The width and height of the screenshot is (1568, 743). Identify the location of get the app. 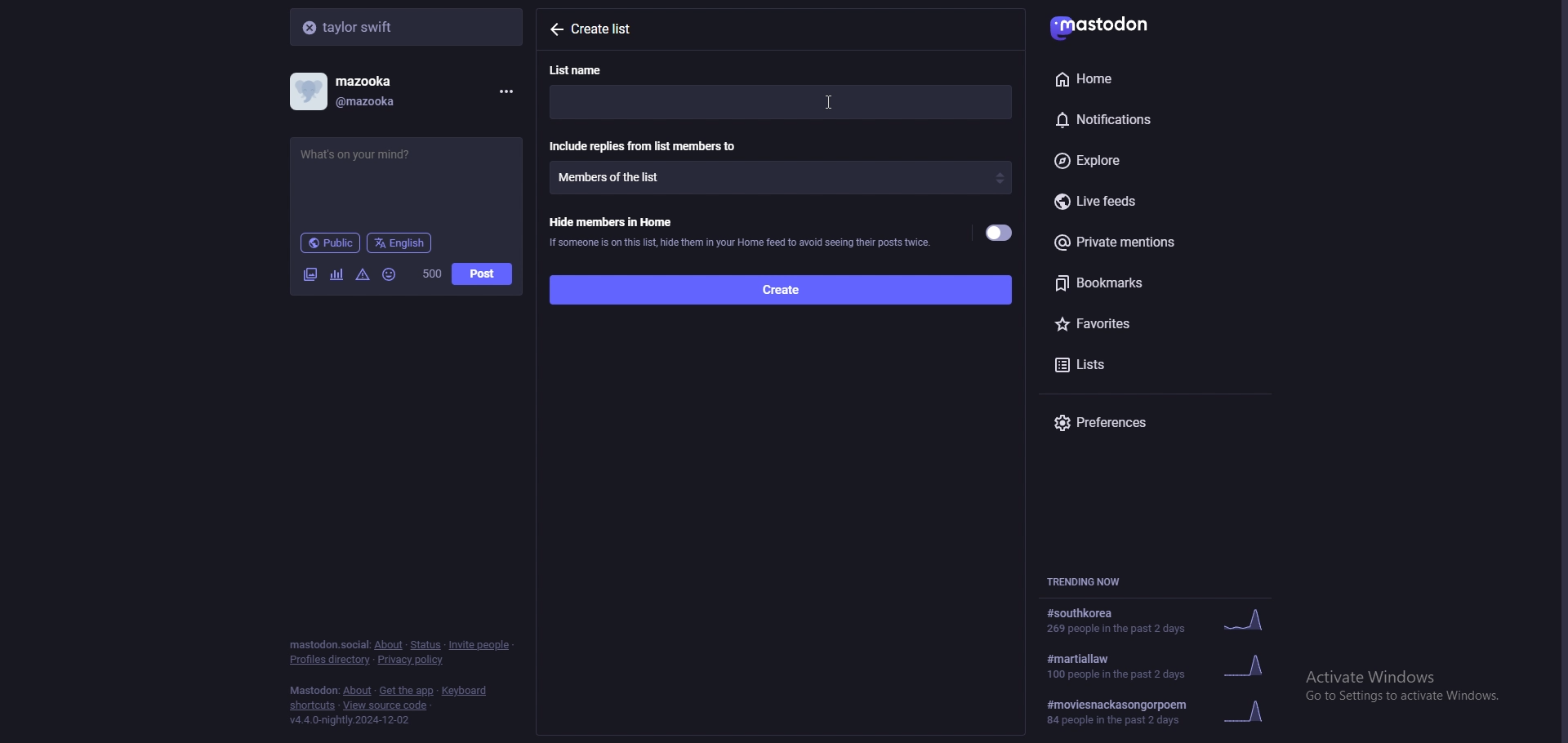
(407, 691).